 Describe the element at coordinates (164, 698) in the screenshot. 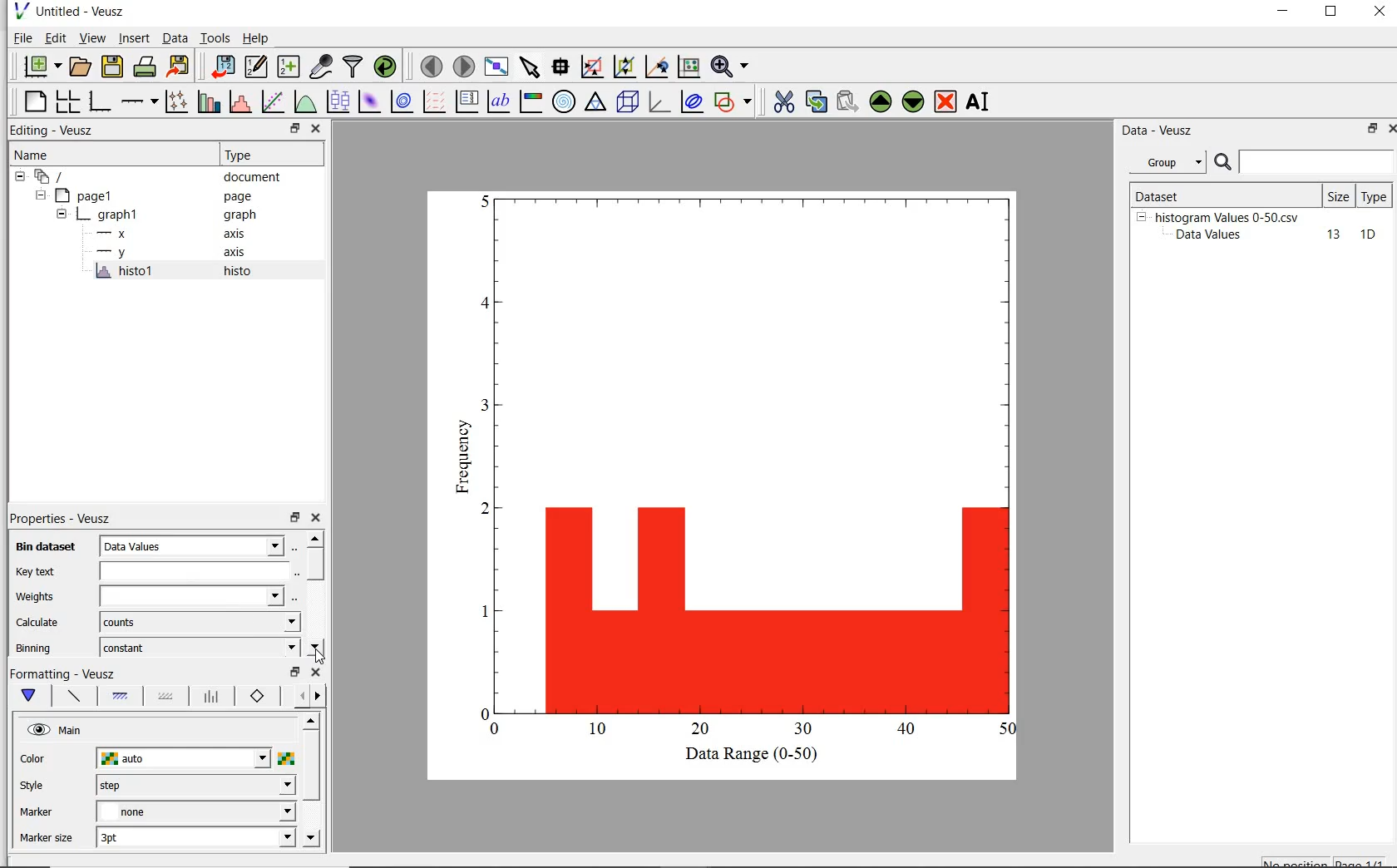

I see `fill over` at that location.